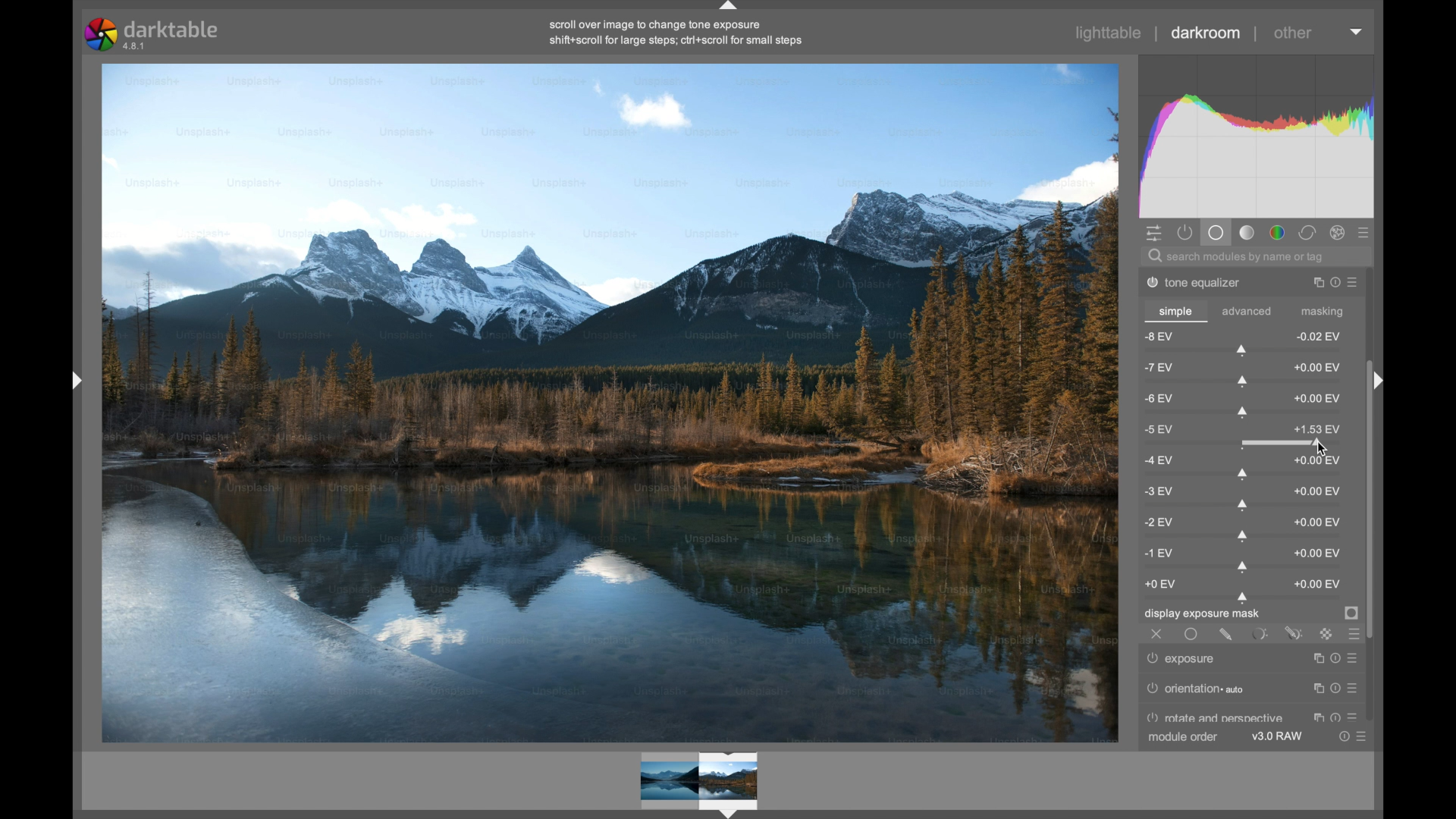 The image size is (1456, 819). I want to click on Drag handle, so click(1380, 380).